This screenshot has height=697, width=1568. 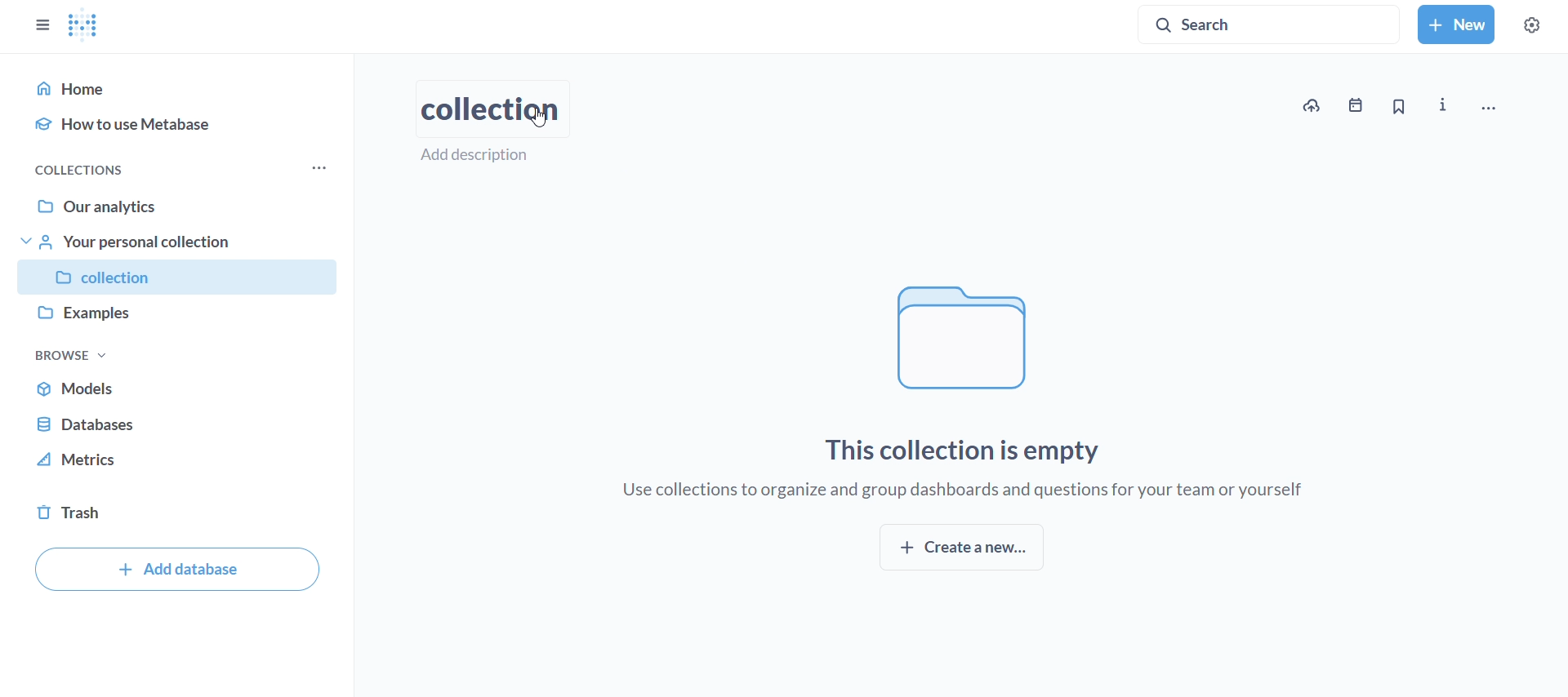 I want to click on add database, so click(x=177, y=569).